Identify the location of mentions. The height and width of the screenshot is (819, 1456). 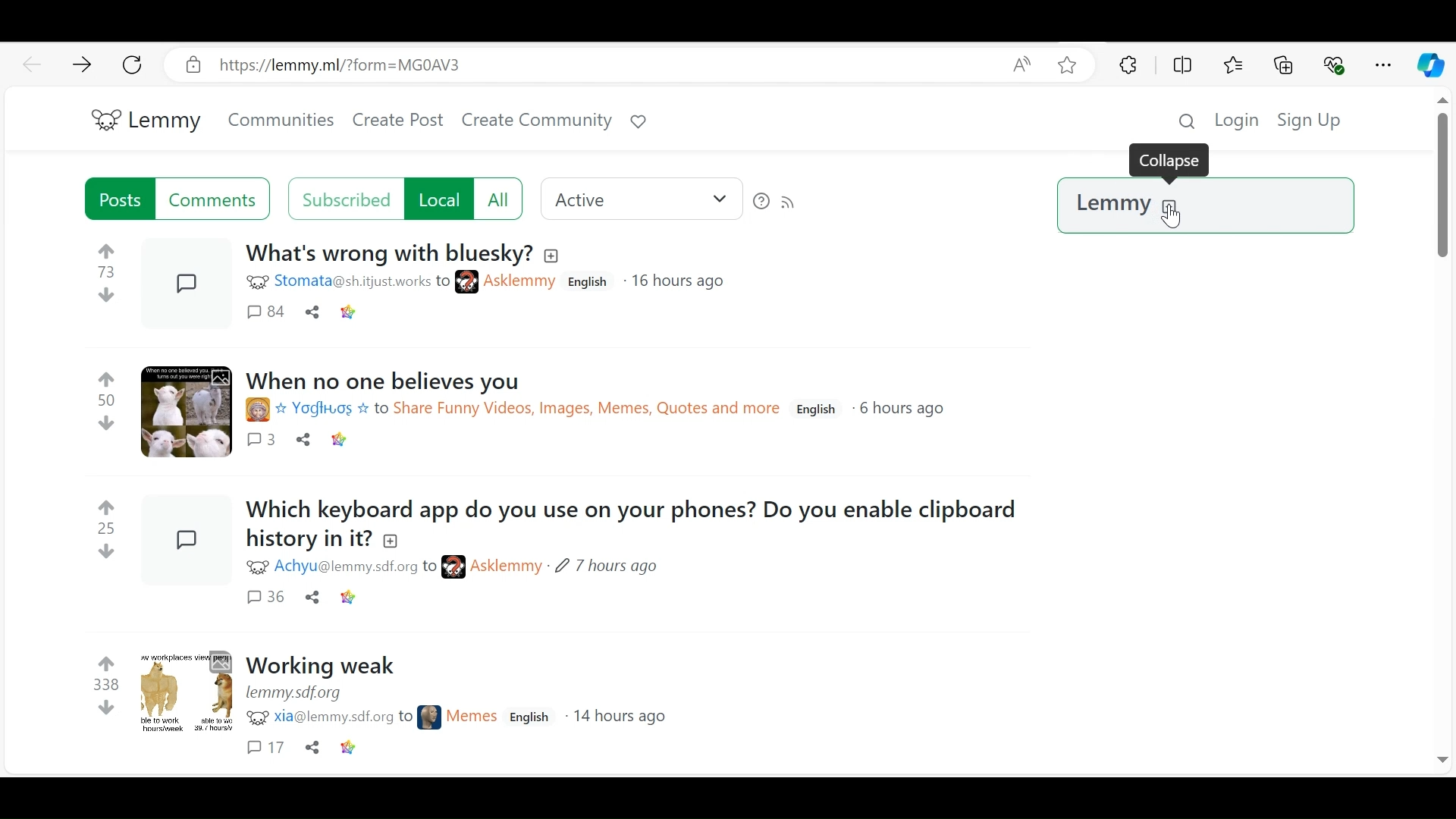
(356, 566).